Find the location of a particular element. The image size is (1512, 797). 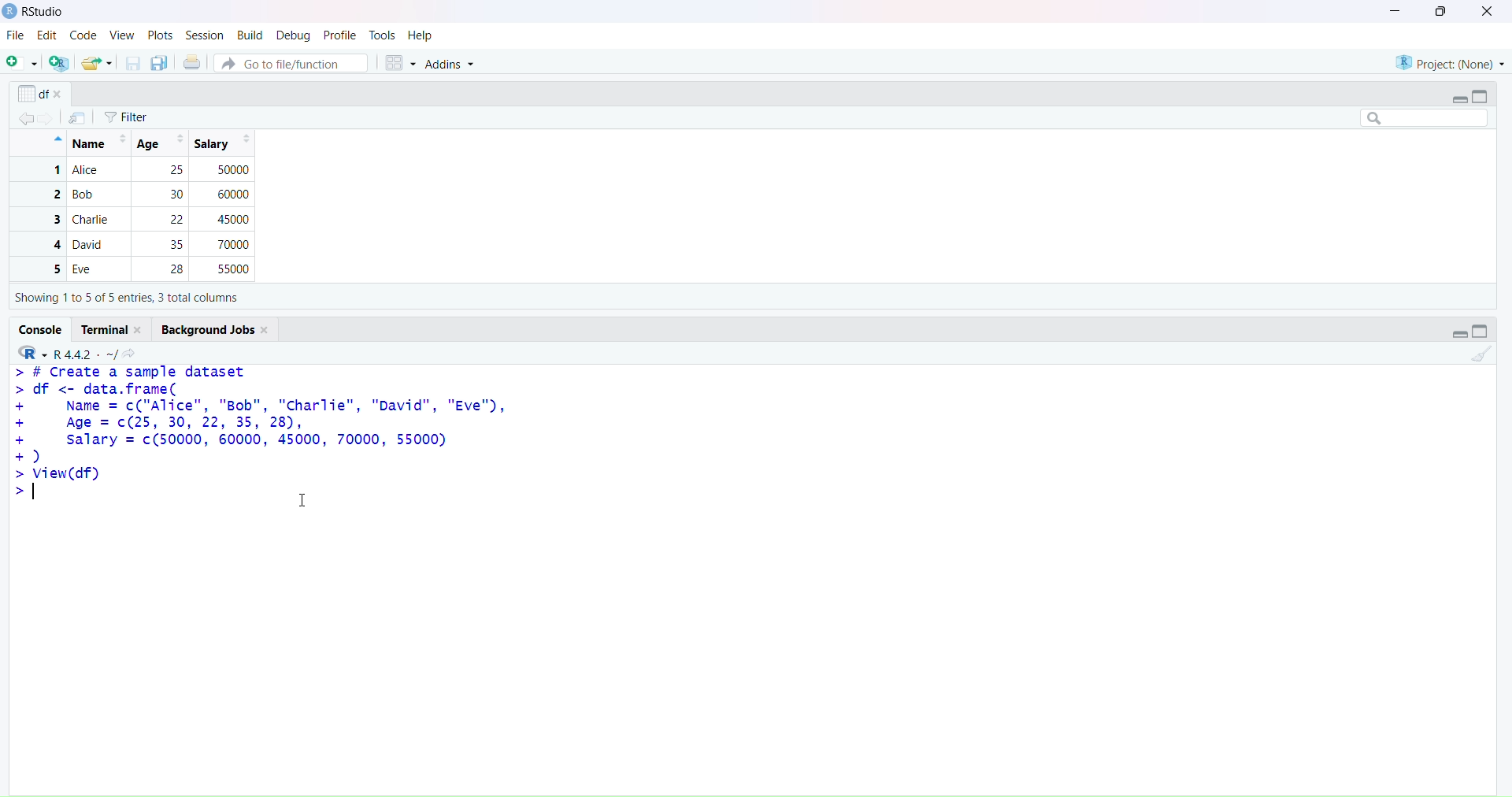

console is located at coordinates (41, 330).